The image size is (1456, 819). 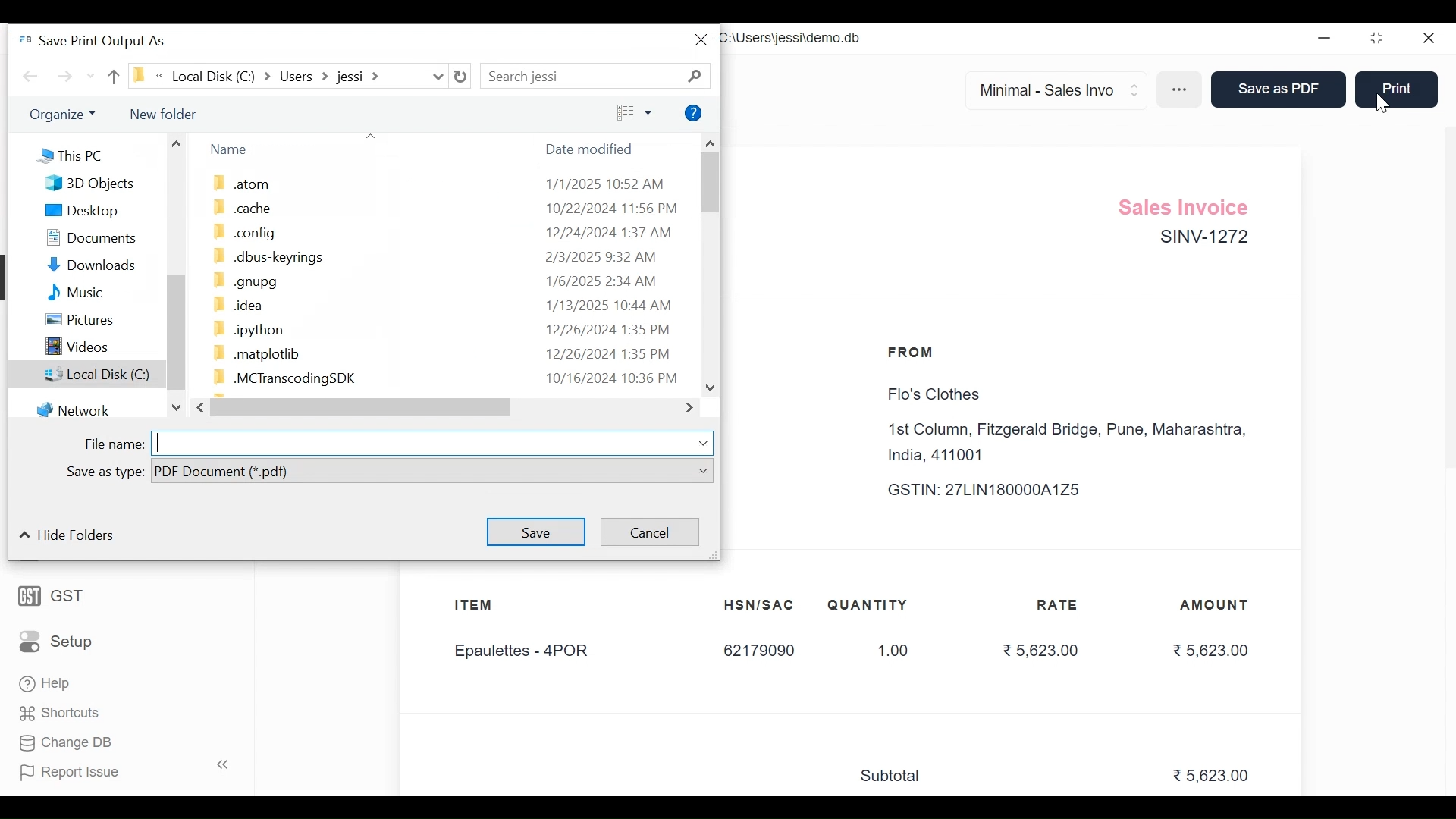 I want to click on Music, so click(x=71, y=292).